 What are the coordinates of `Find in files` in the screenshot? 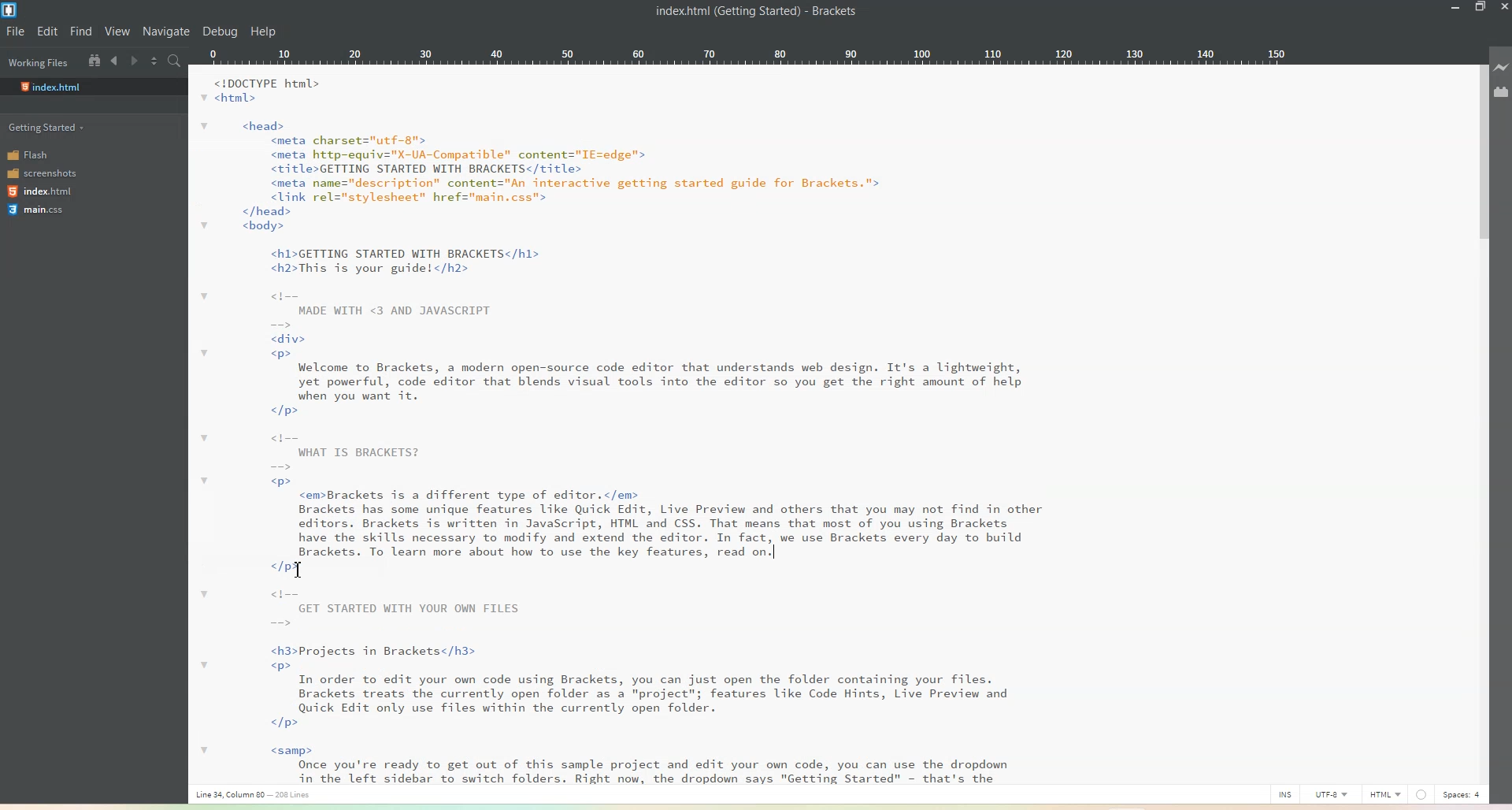 It's located at (175, 61).